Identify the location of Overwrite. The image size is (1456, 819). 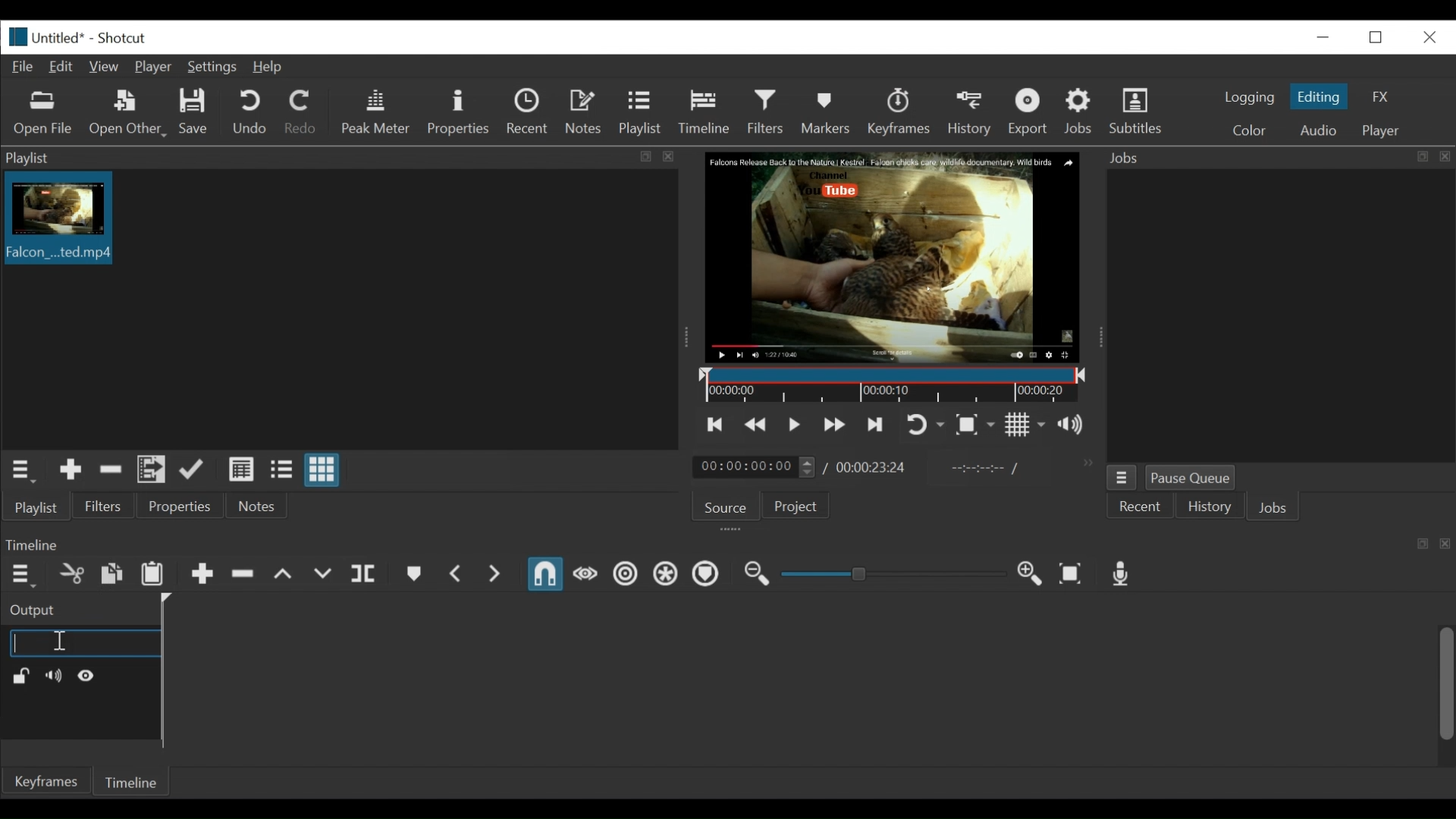
(324, 573).